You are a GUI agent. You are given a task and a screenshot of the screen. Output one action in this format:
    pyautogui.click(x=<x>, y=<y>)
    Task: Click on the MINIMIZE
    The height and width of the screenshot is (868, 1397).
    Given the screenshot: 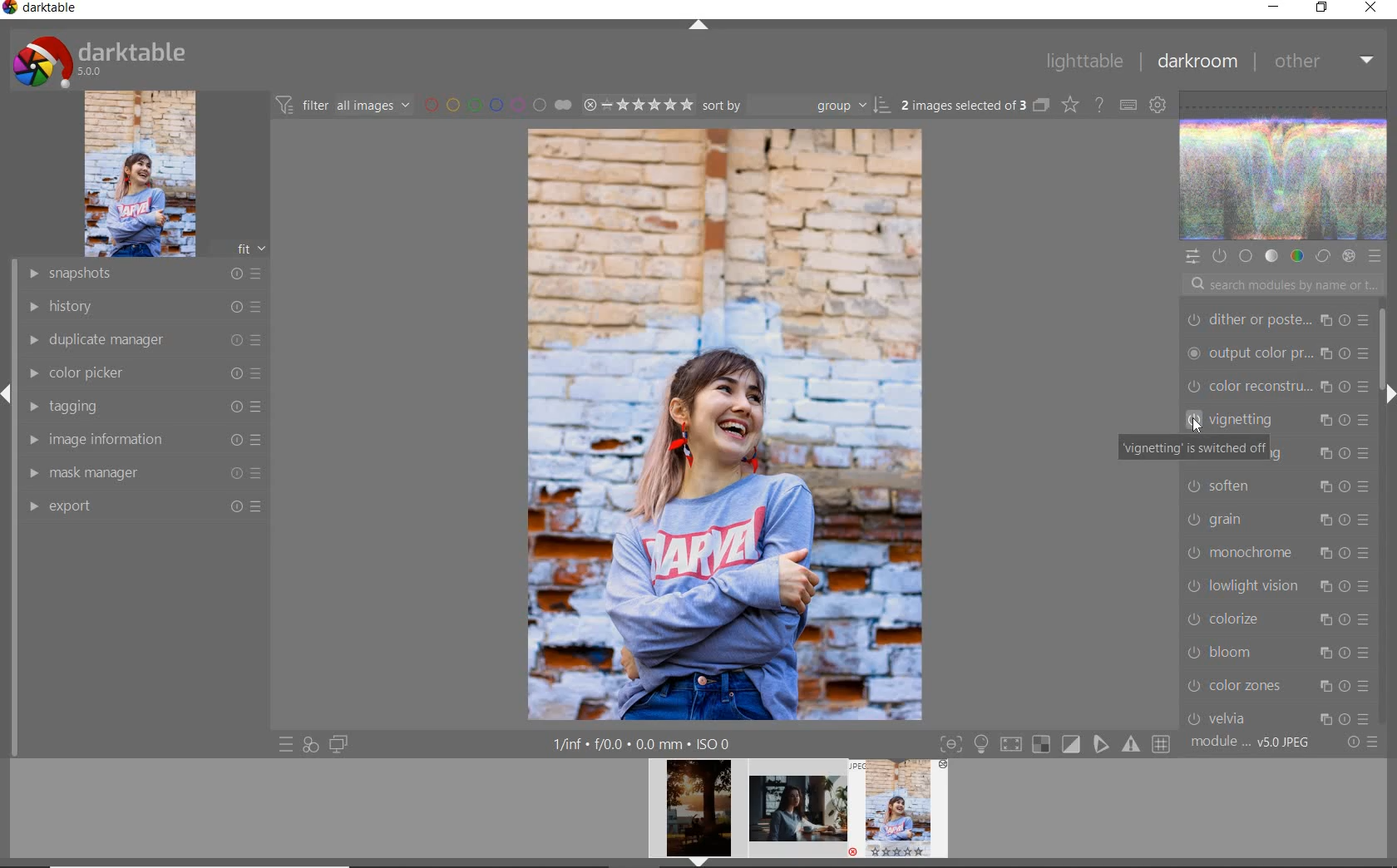 What is the action you would take?
    pyautogui.click(x=1273, y=7)
    